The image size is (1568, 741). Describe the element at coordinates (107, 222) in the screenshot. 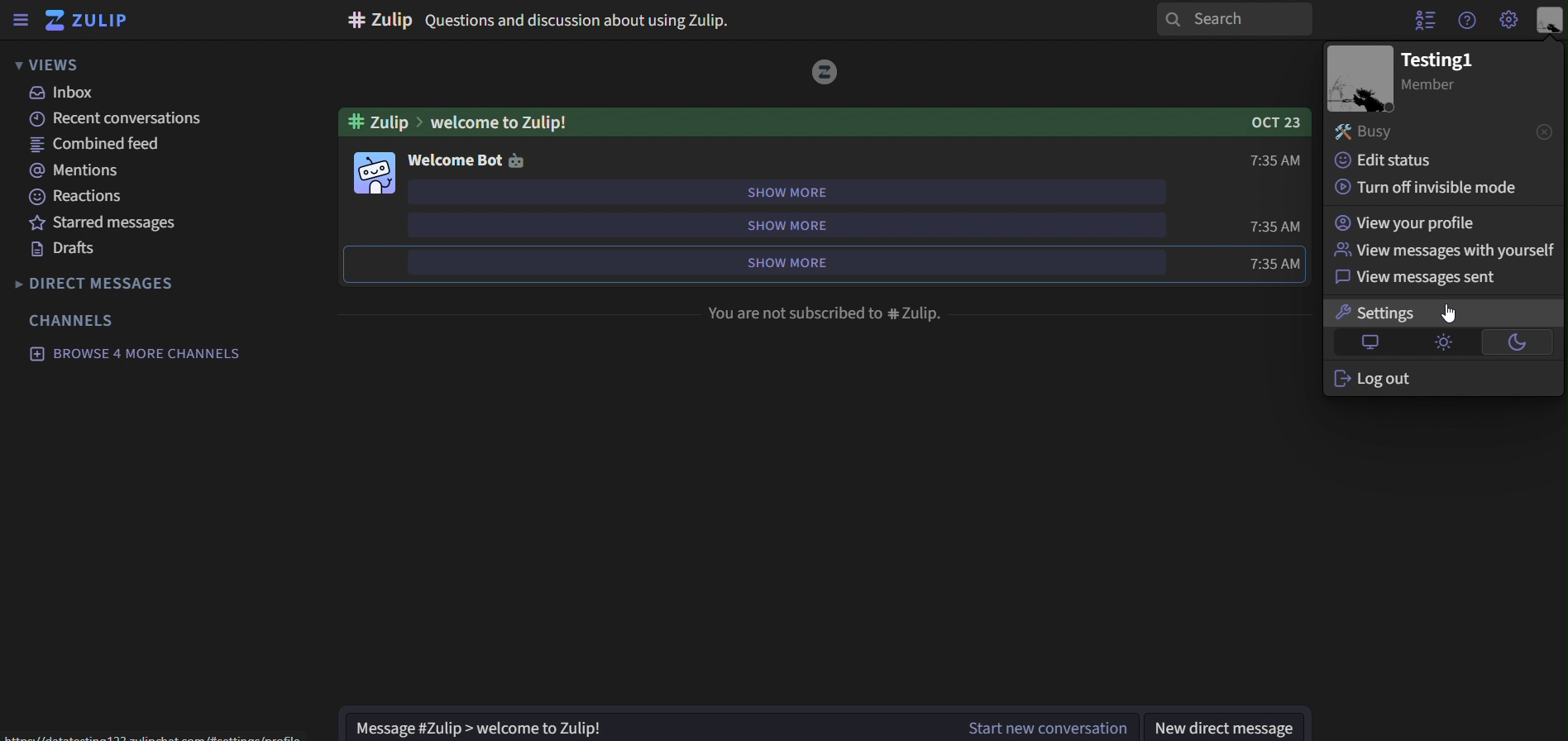

I see `starred messages` at that location.